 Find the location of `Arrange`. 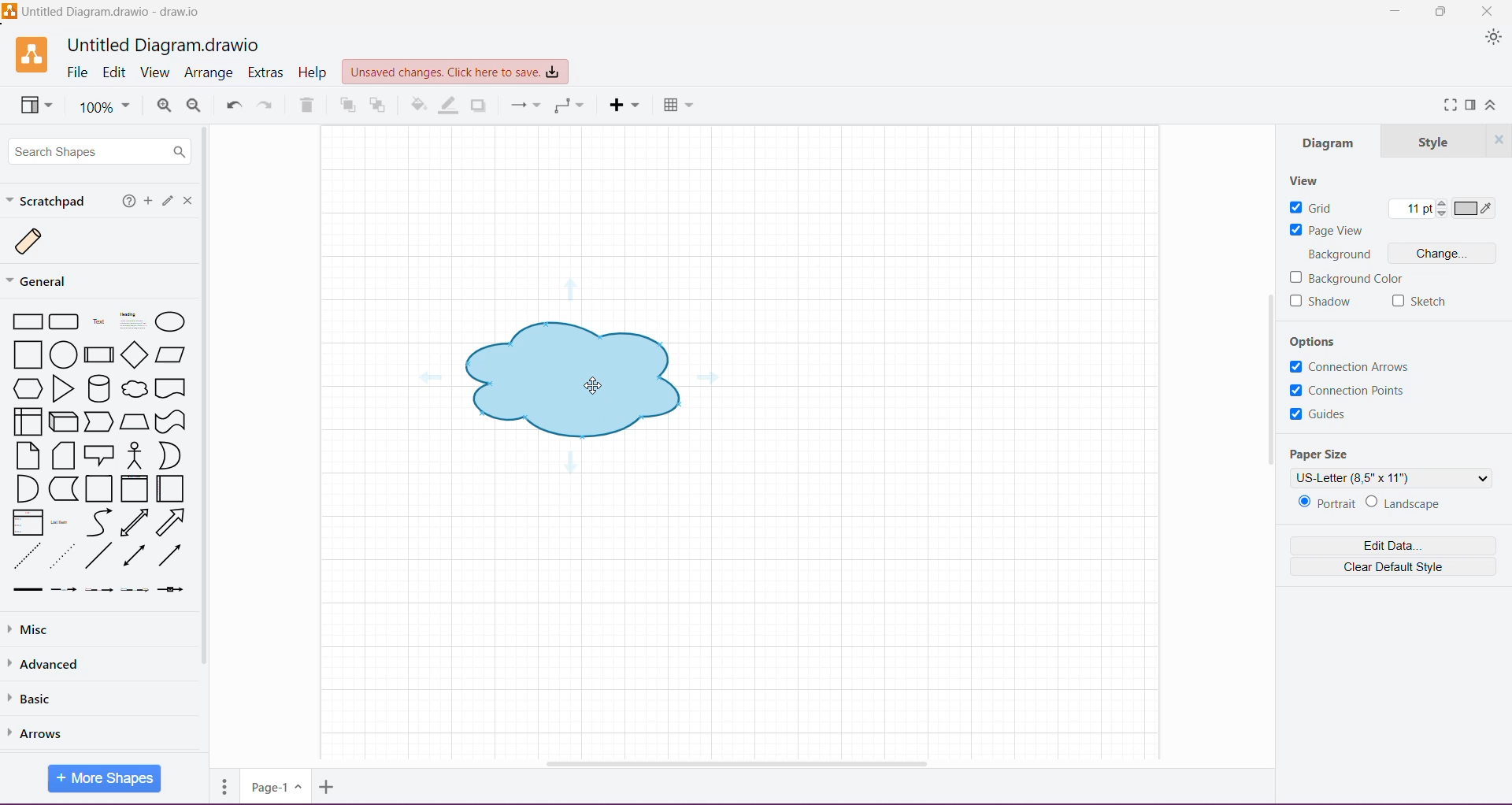

Arrange is located at coordinates (210, 73).